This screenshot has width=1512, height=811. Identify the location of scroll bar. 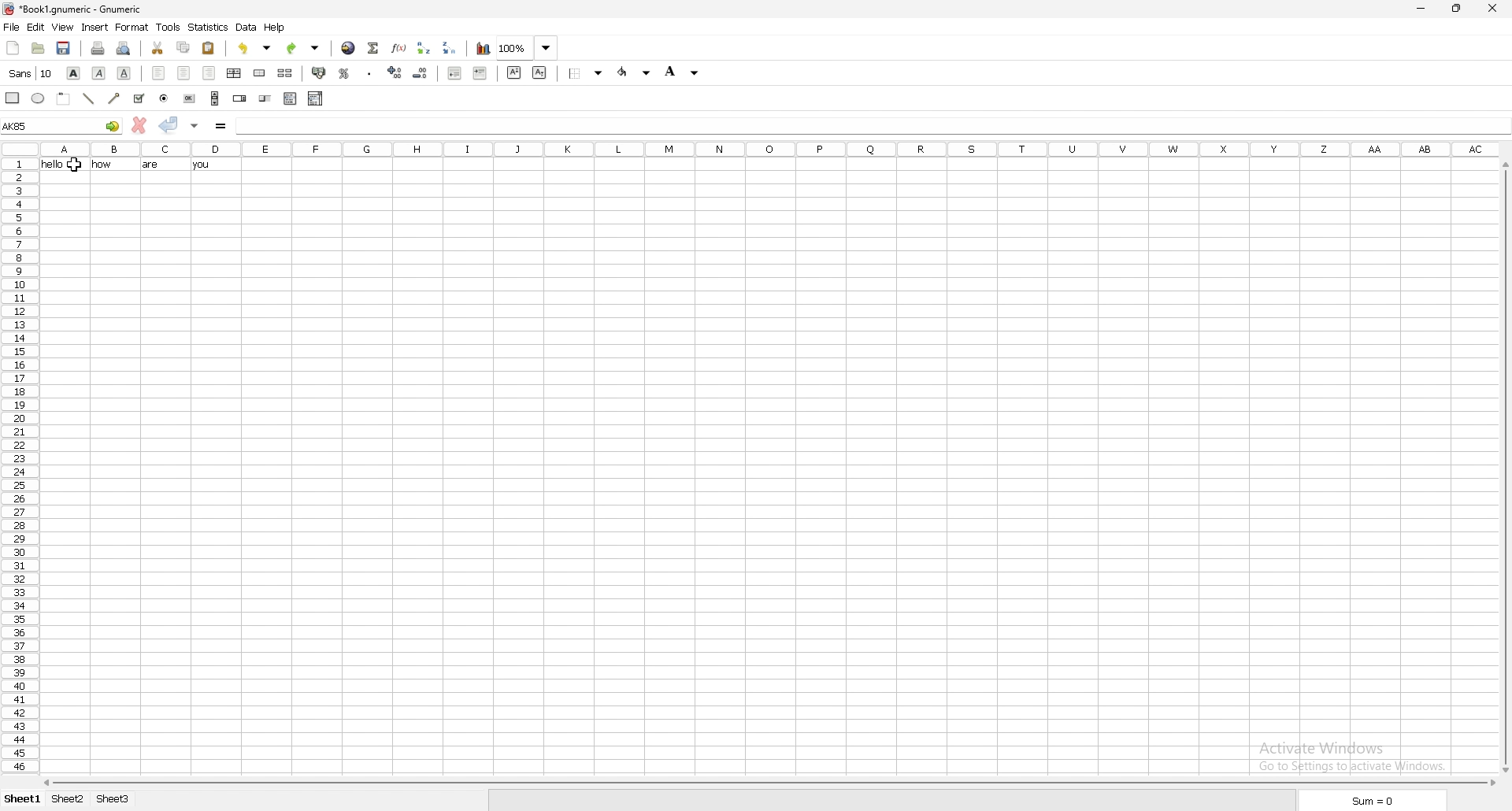
(215, 98).